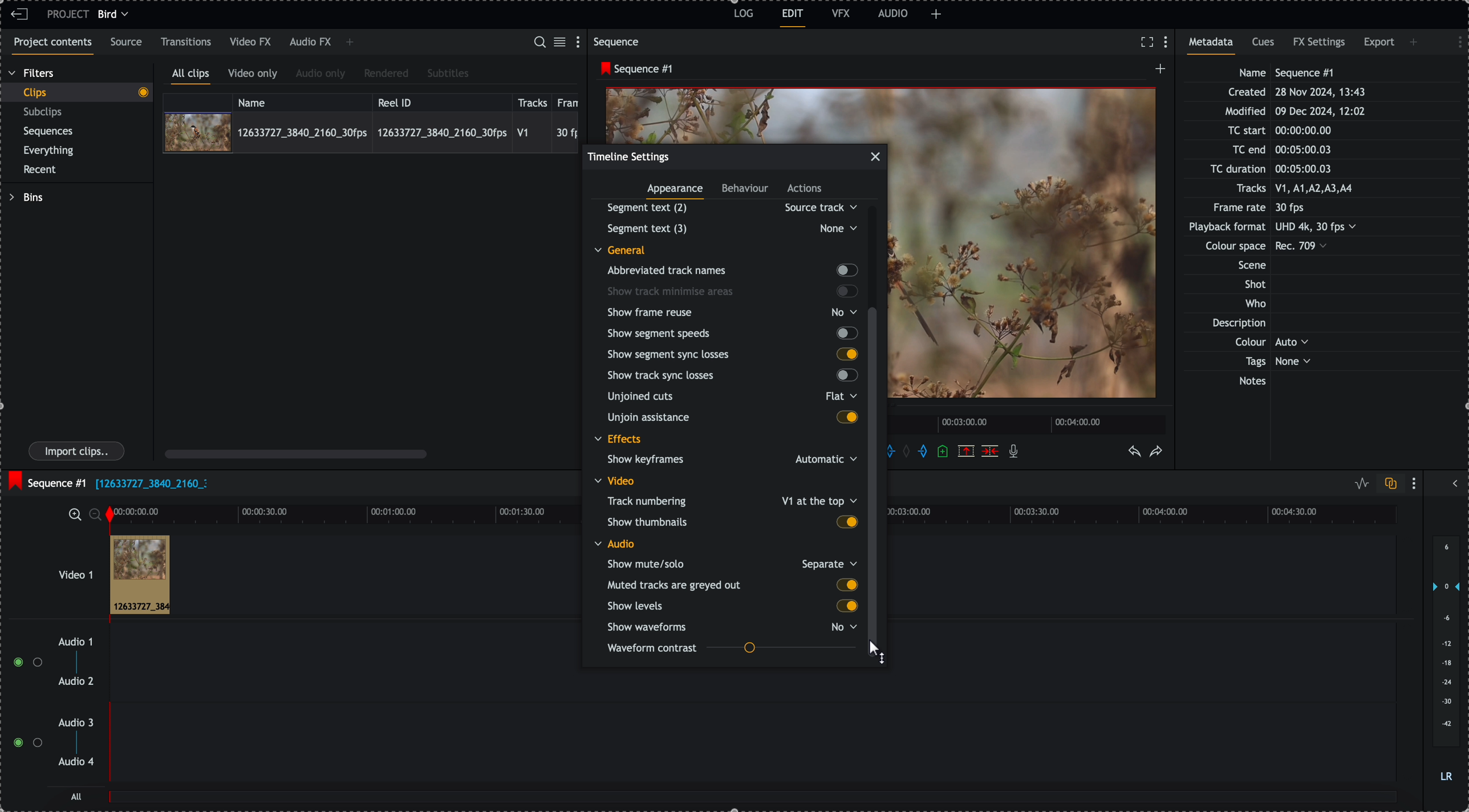  I want to click on video only, so click(255, 75).